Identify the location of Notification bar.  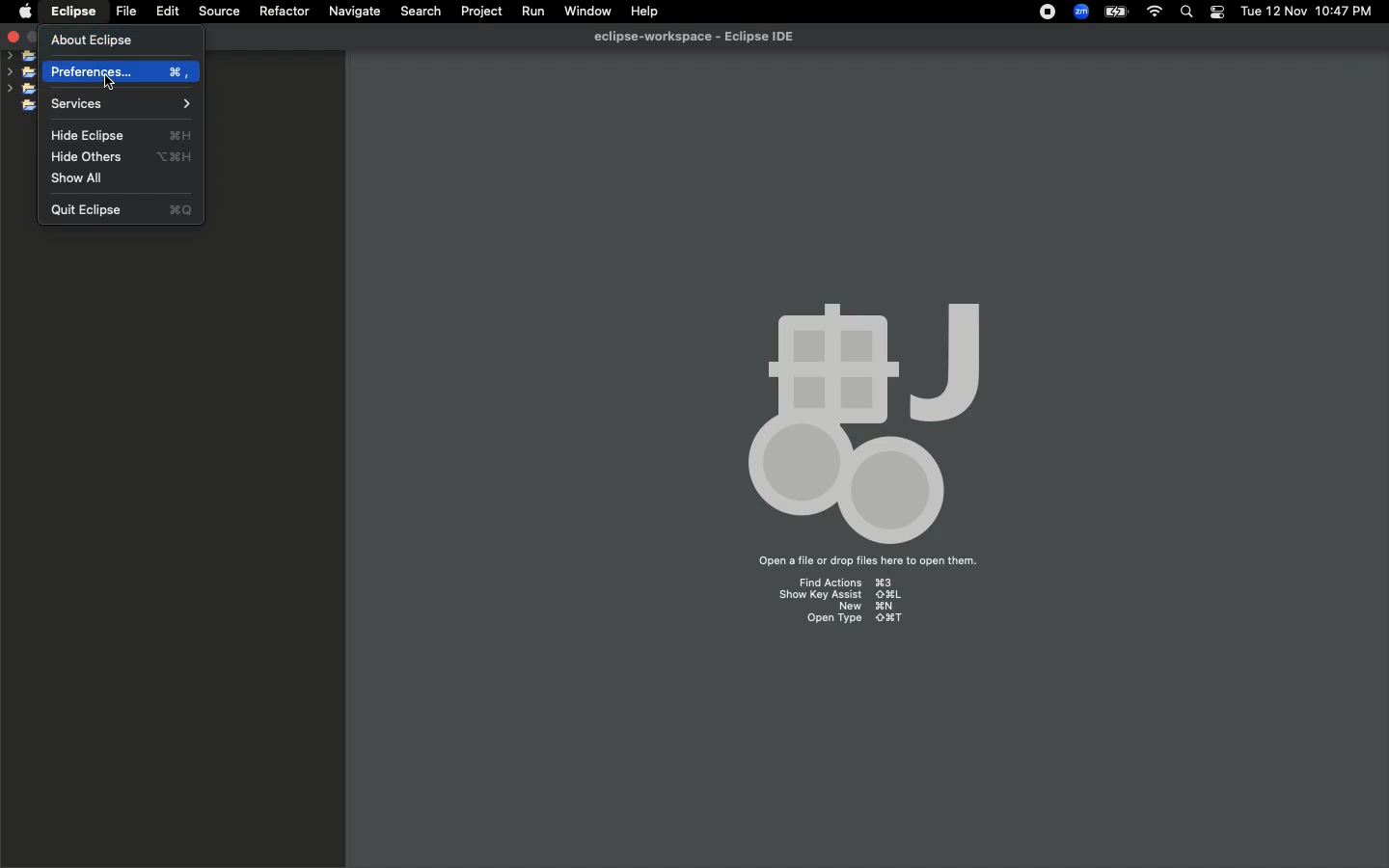
(1216, 14).